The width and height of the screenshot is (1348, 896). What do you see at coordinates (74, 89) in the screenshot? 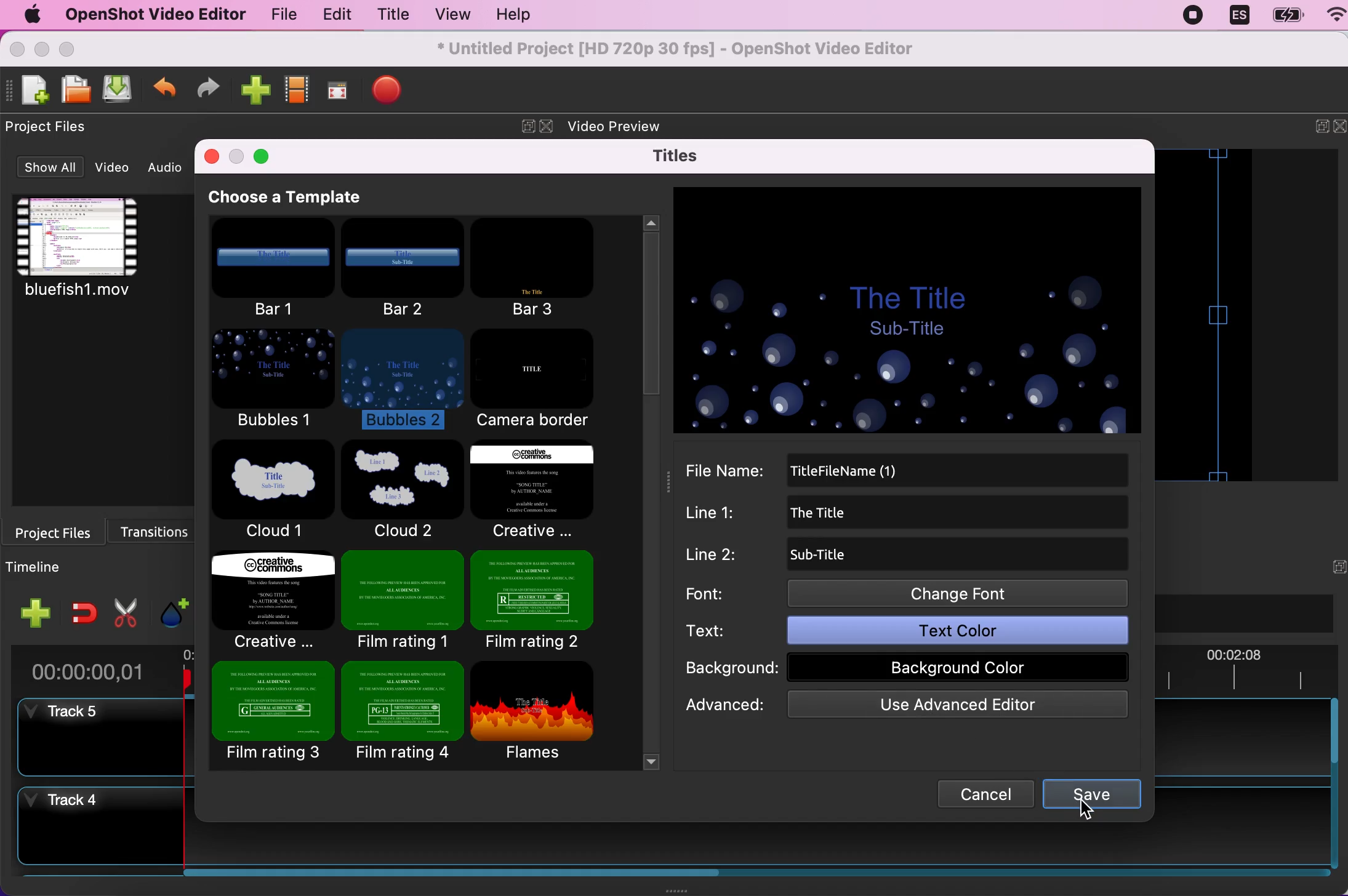
I see `open project` at bounding box center [74, 89].